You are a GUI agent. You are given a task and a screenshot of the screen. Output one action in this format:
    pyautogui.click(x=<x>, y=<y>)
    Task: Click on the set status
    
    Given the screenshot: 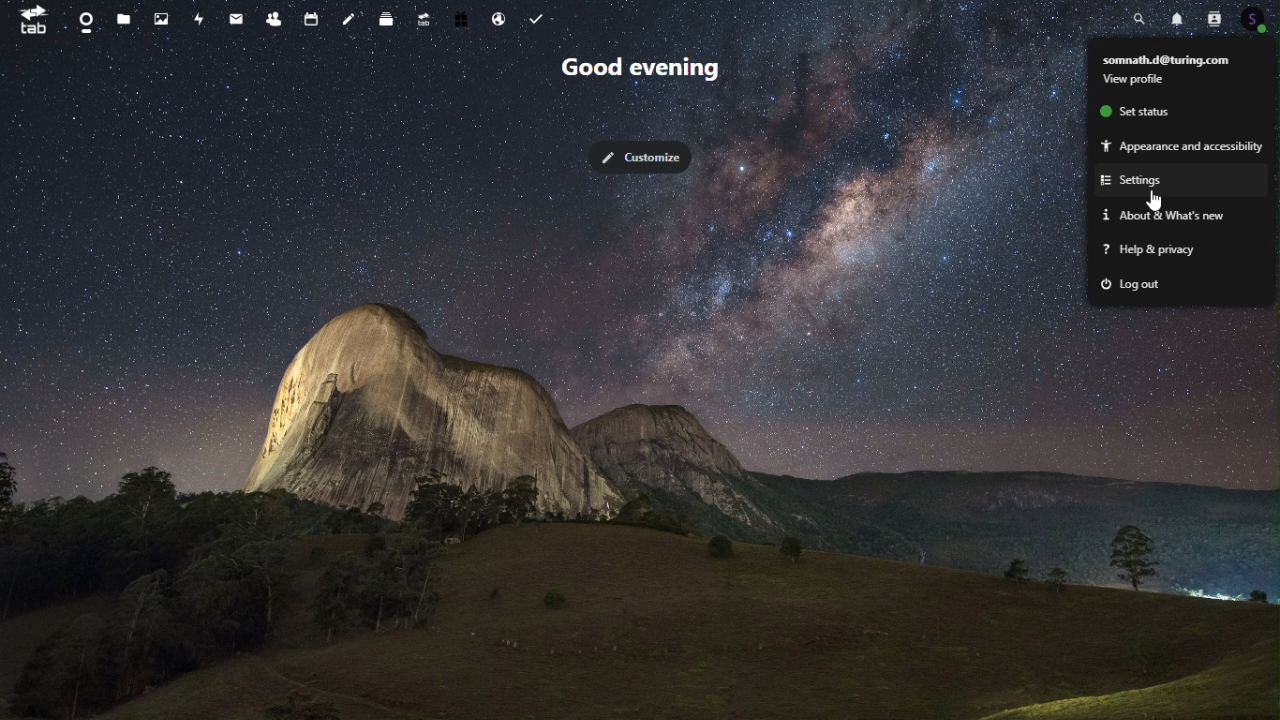 What is the action you would take?
    pyautogui.click(x=1155, y=113)
    